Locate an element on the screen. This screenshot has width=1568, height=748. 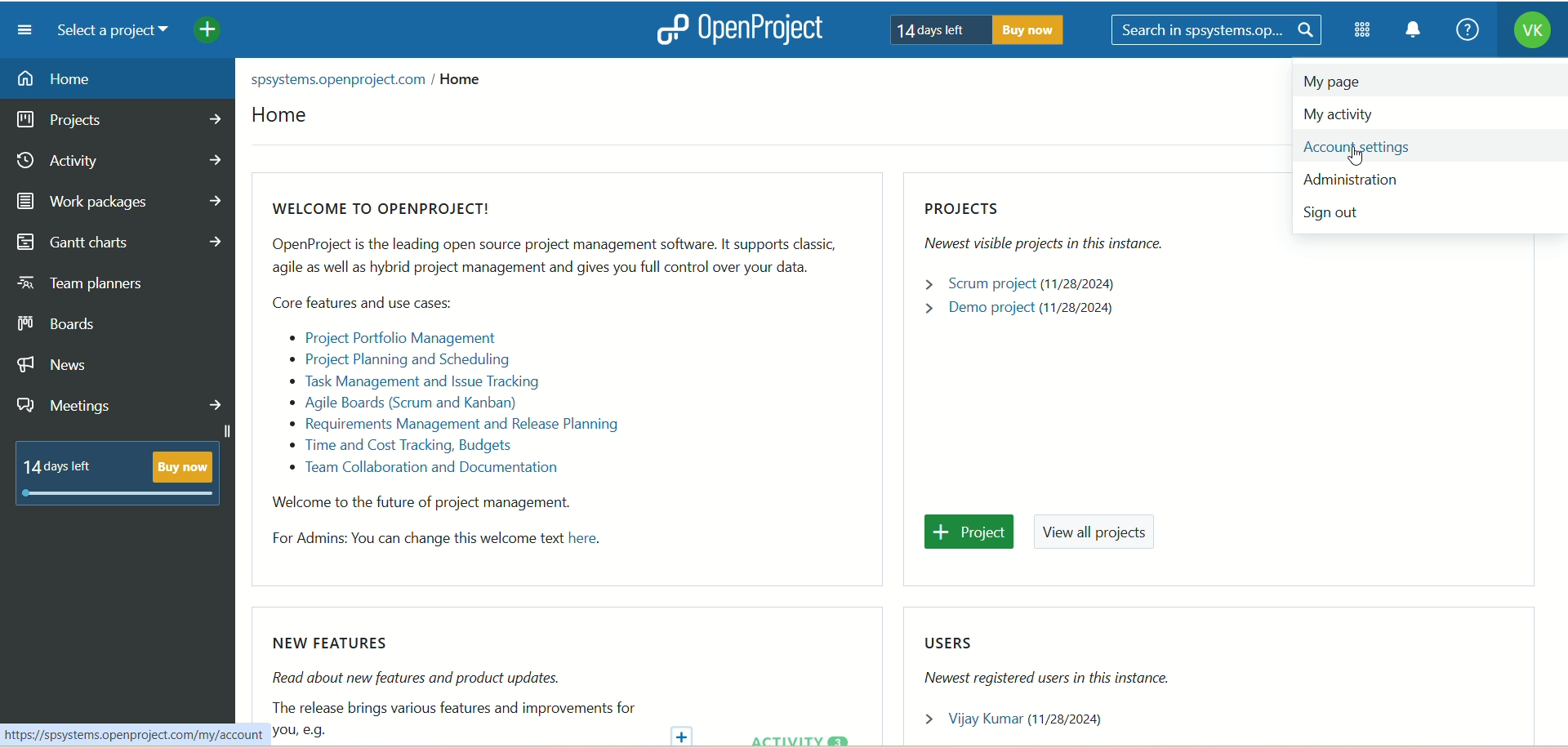
menu is located at coordinates (19, 29).